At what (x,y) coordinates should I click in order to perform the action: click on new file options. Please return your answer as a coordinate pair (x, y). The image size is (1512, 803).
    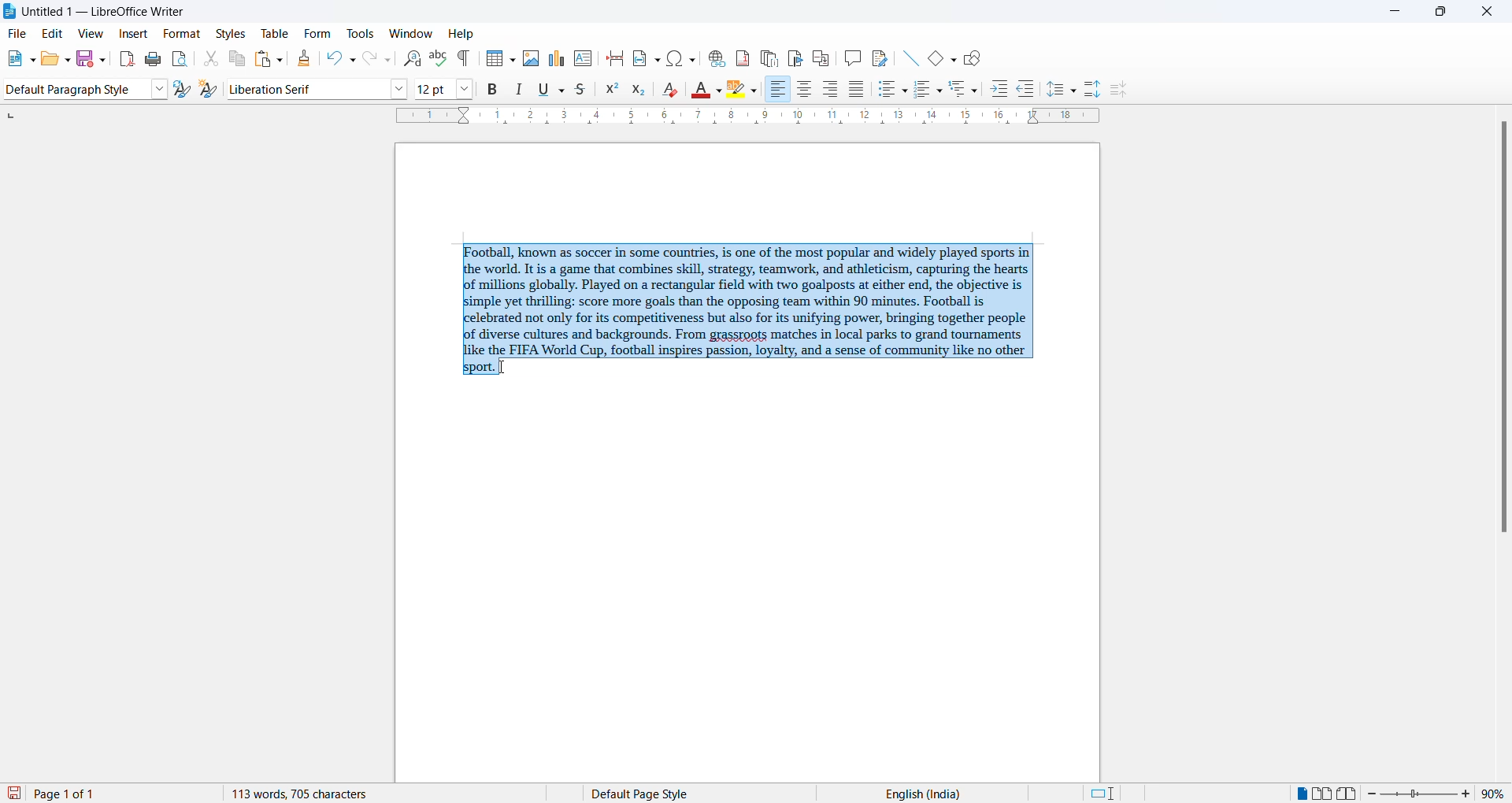
    Looking at the image, I should click on (29, 58).